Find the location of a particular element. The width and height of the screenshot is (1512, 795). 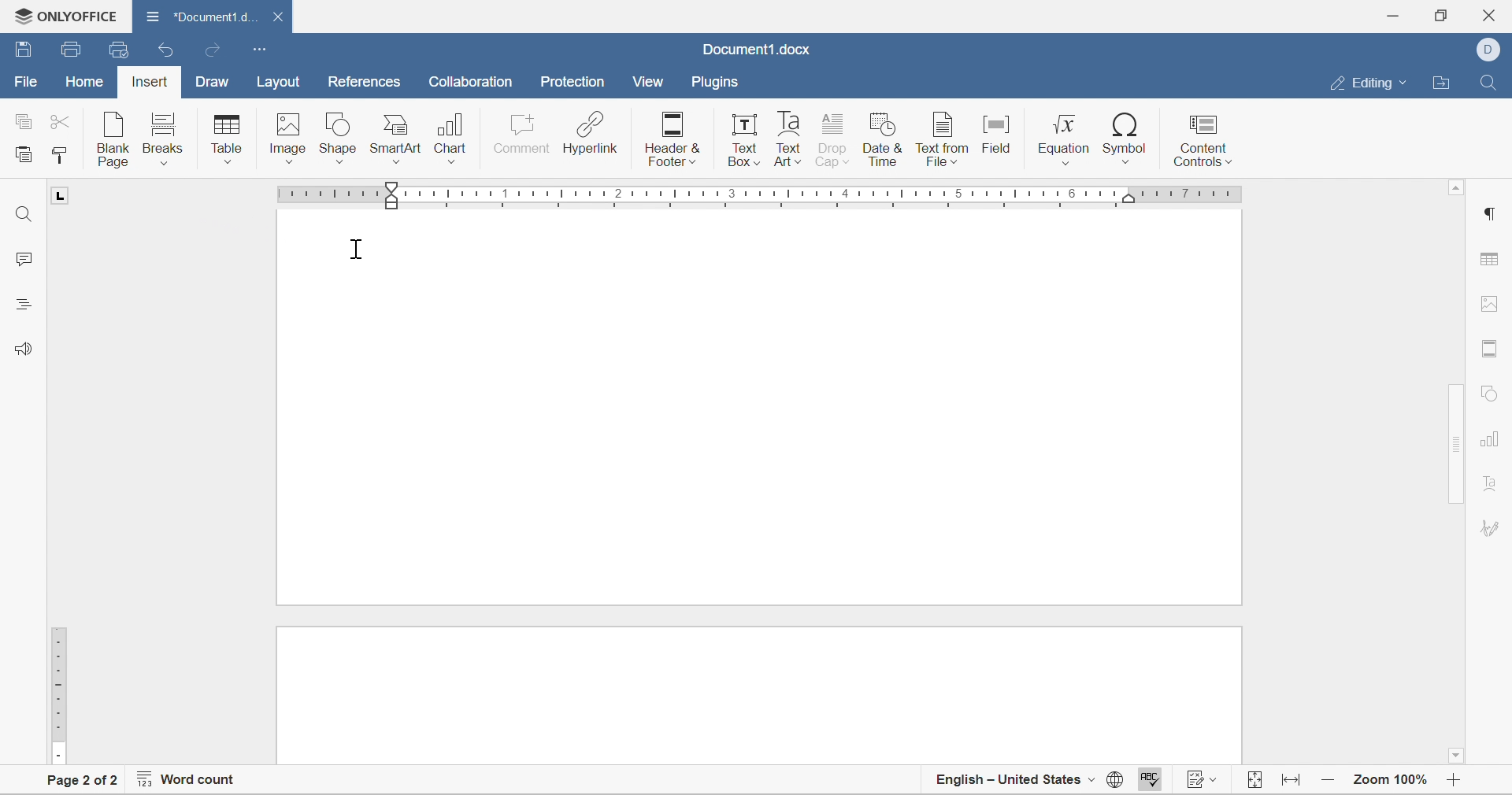

Page break is located at coordinates (759, 595).